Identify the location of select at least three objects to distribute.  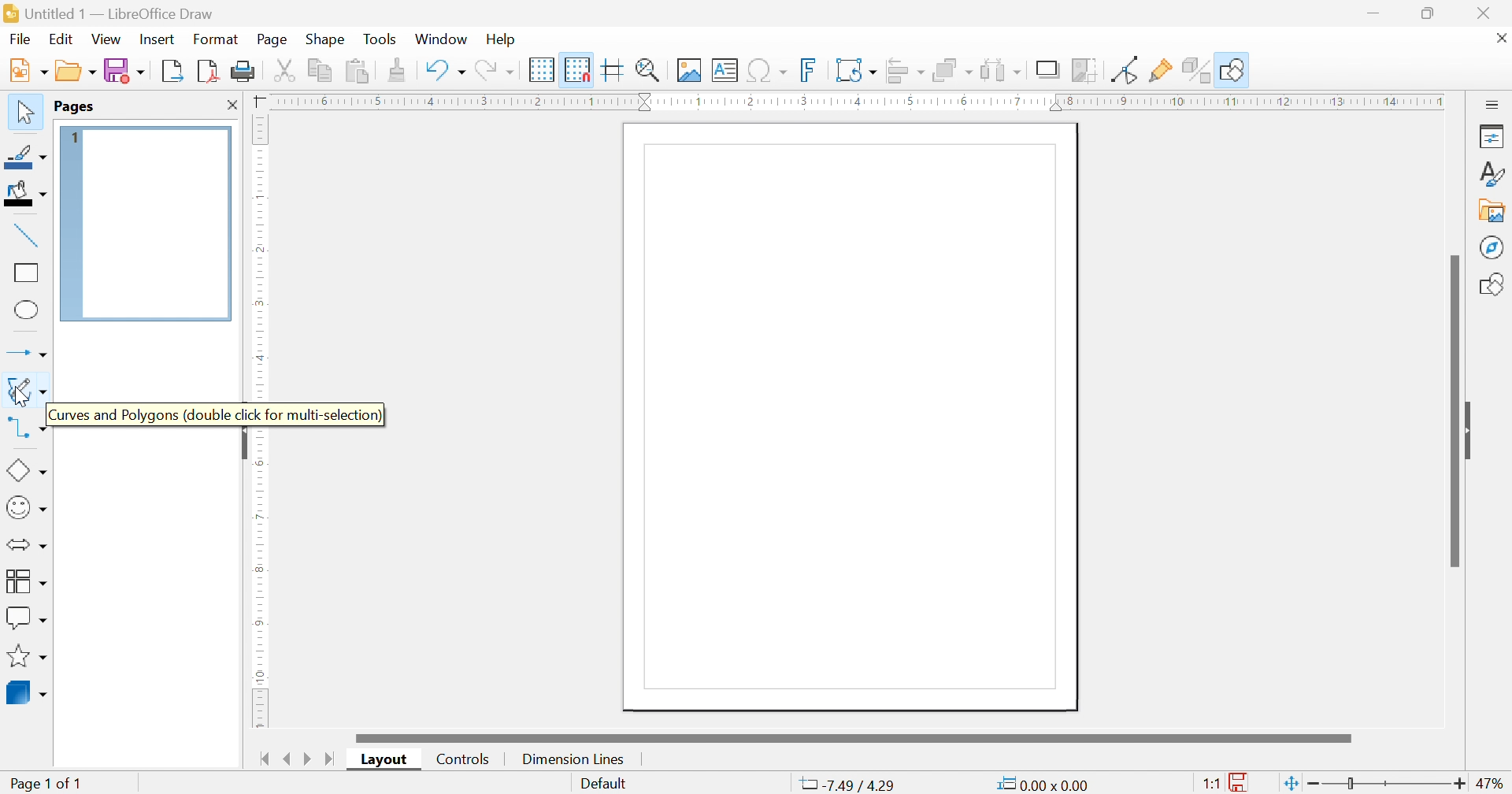
(1001, 70).